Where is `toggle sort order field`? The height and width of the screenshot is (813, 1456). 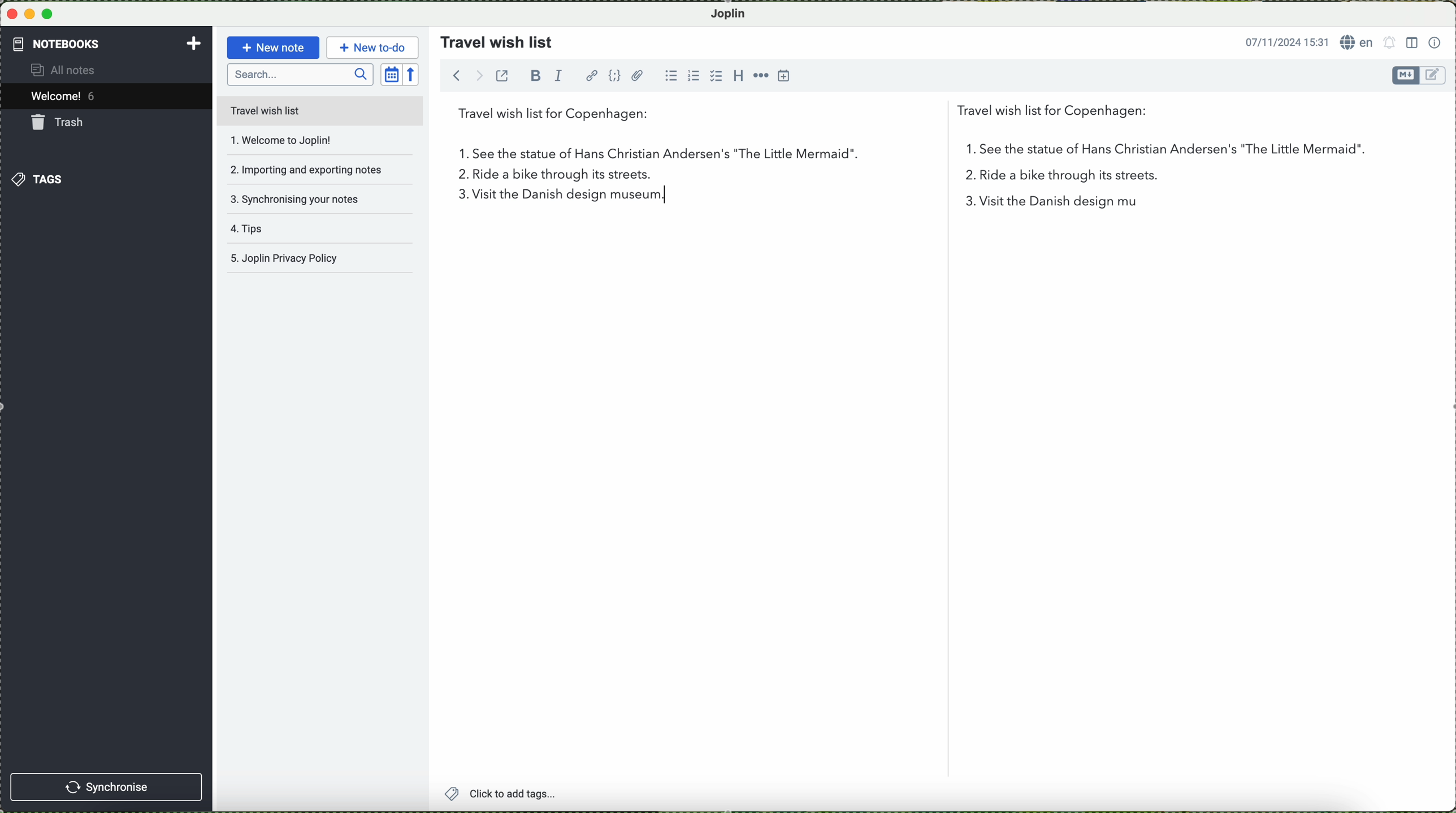
toggle sort order field is located at coordinates (391, 73).